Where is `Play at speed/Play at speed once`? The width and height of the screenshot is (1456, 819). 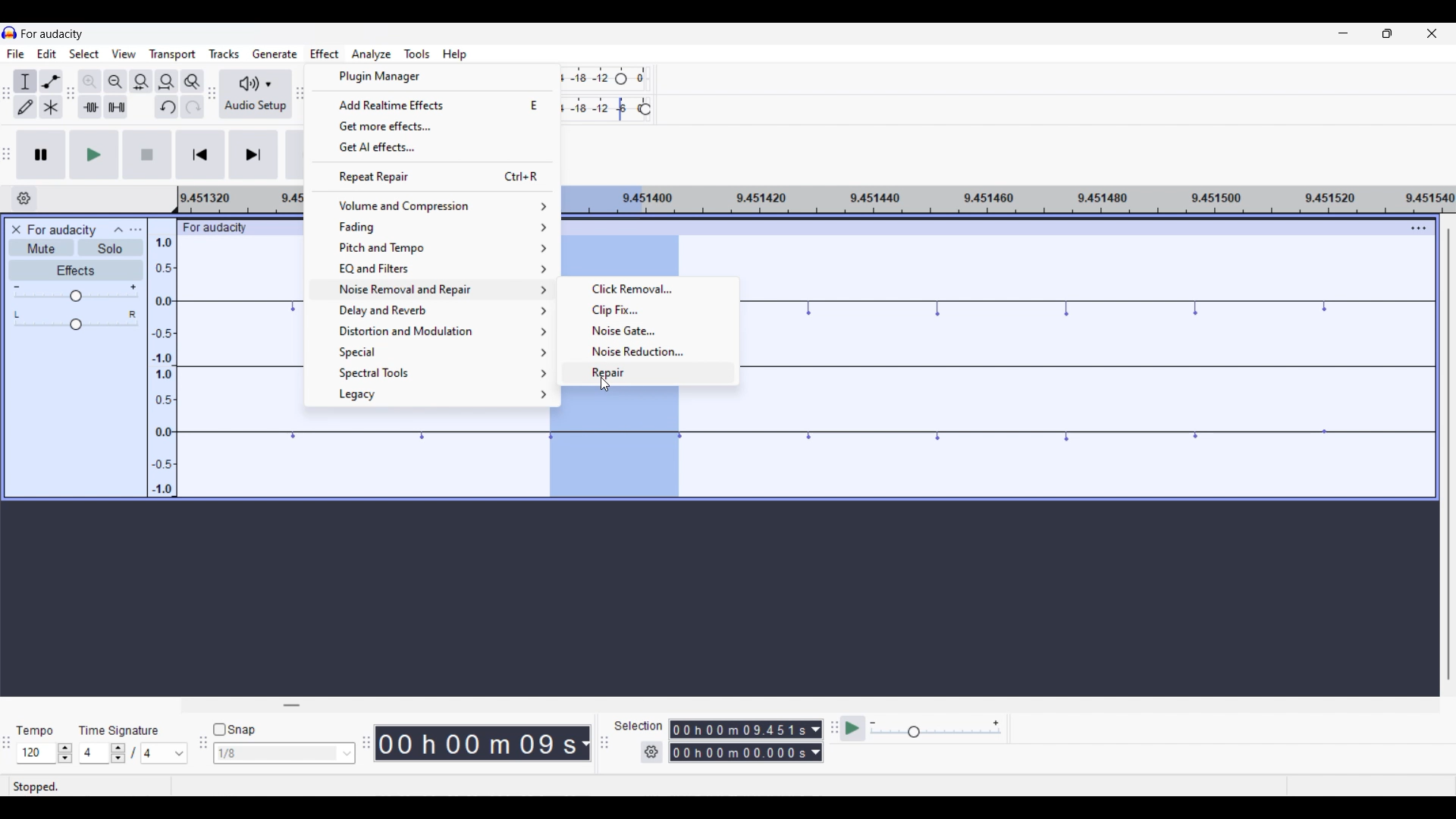
Play at speed/Play at speed once is located at coordinates (853, 730).